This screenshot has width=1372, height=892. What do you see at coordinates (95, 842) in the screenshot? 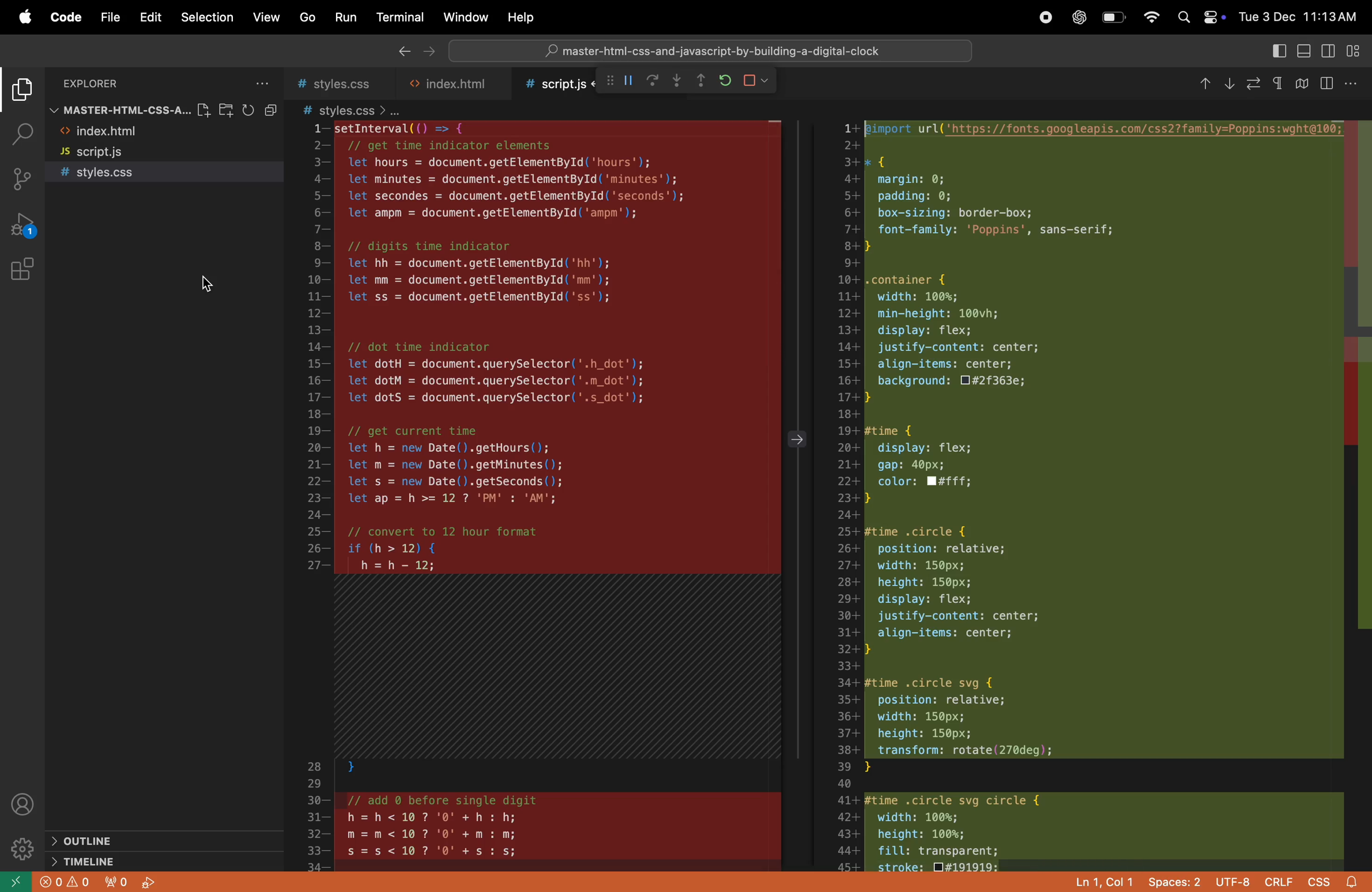
I see `outline` at bounding box center [95, 842].